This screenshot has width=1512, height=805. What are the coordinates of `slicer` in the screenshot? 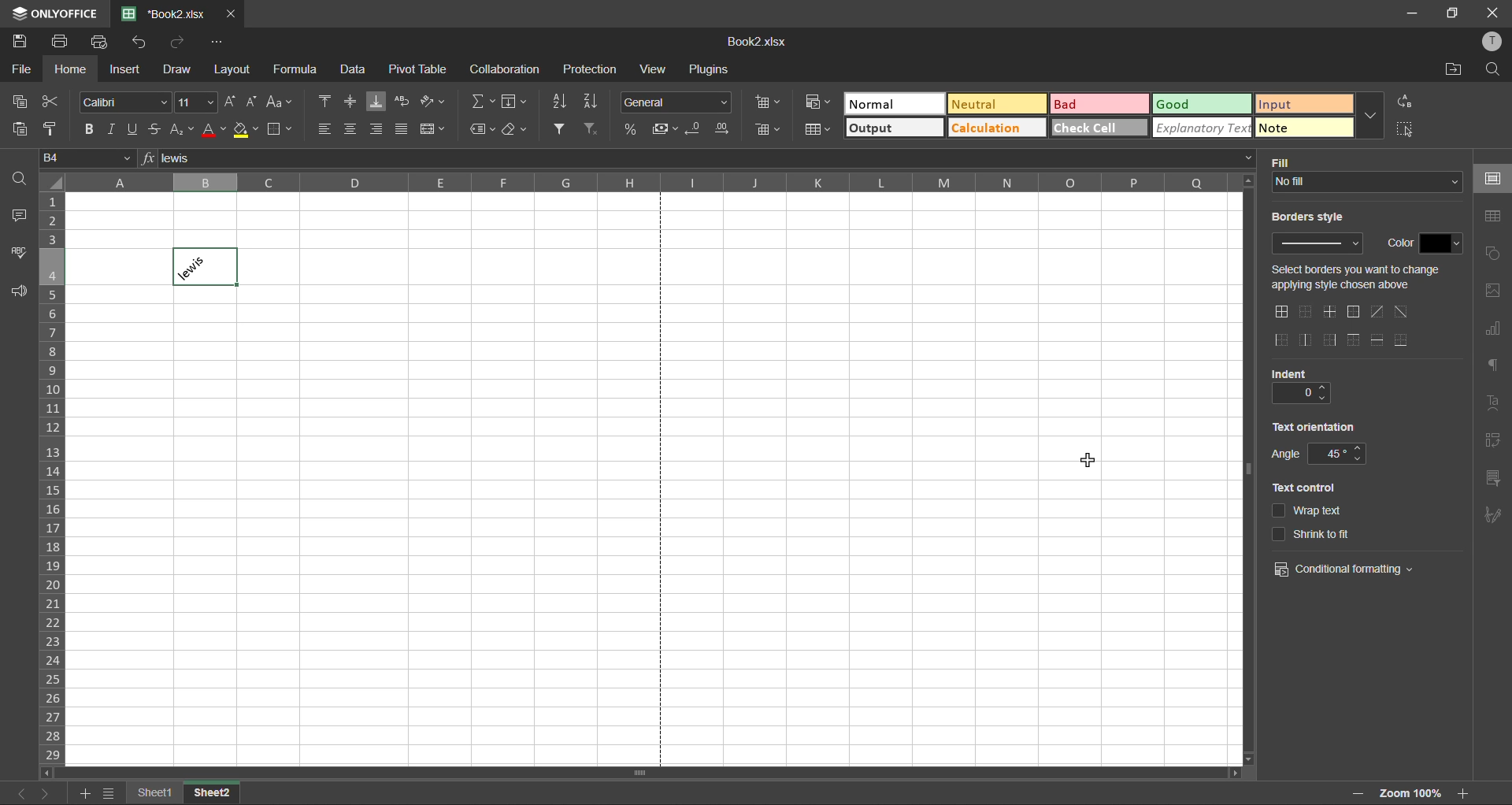 It's located at (1496, 480).